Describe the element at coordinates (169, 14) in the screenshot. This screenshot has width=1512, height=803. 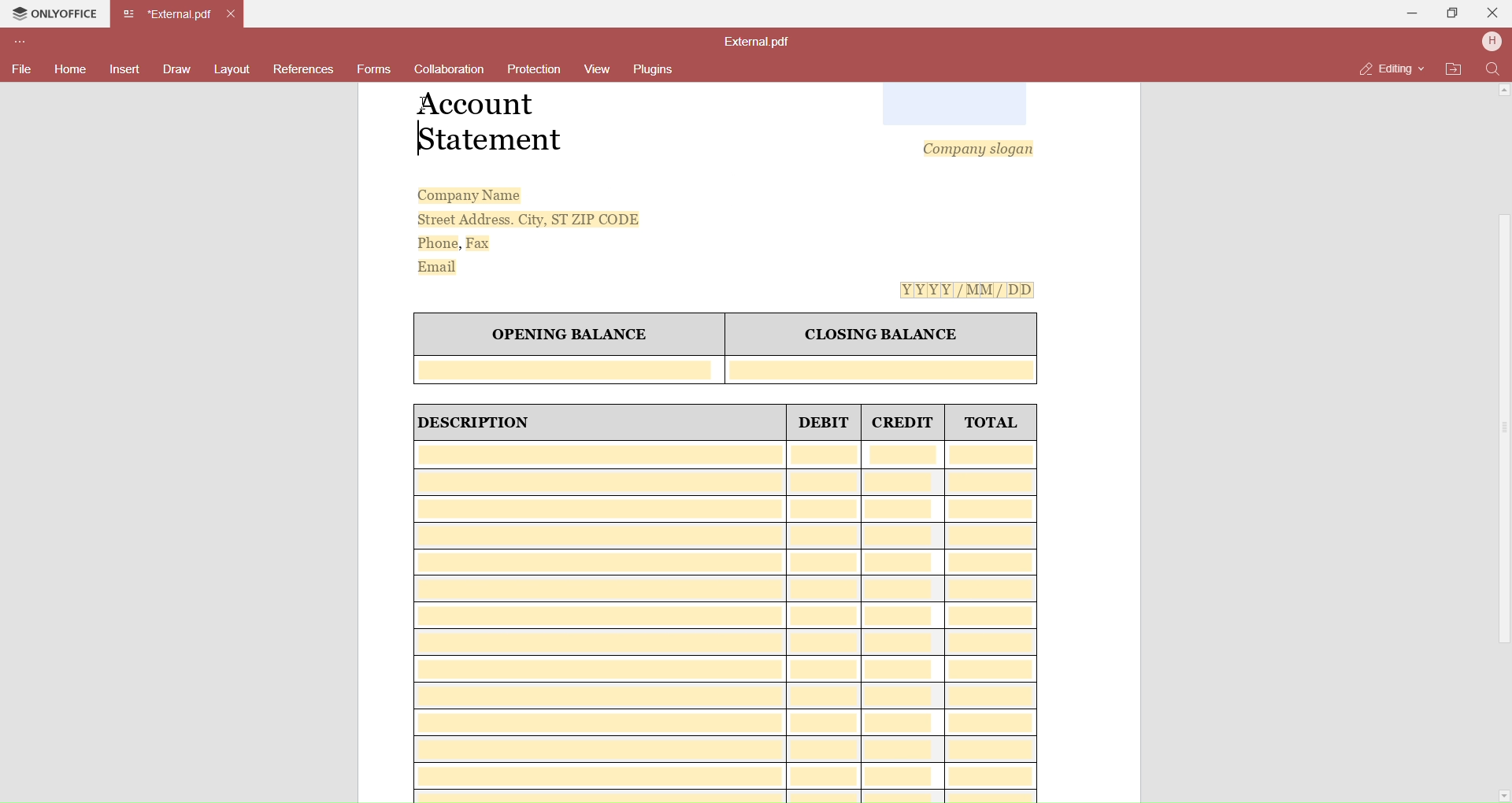
I see `Current open tab` at that location.